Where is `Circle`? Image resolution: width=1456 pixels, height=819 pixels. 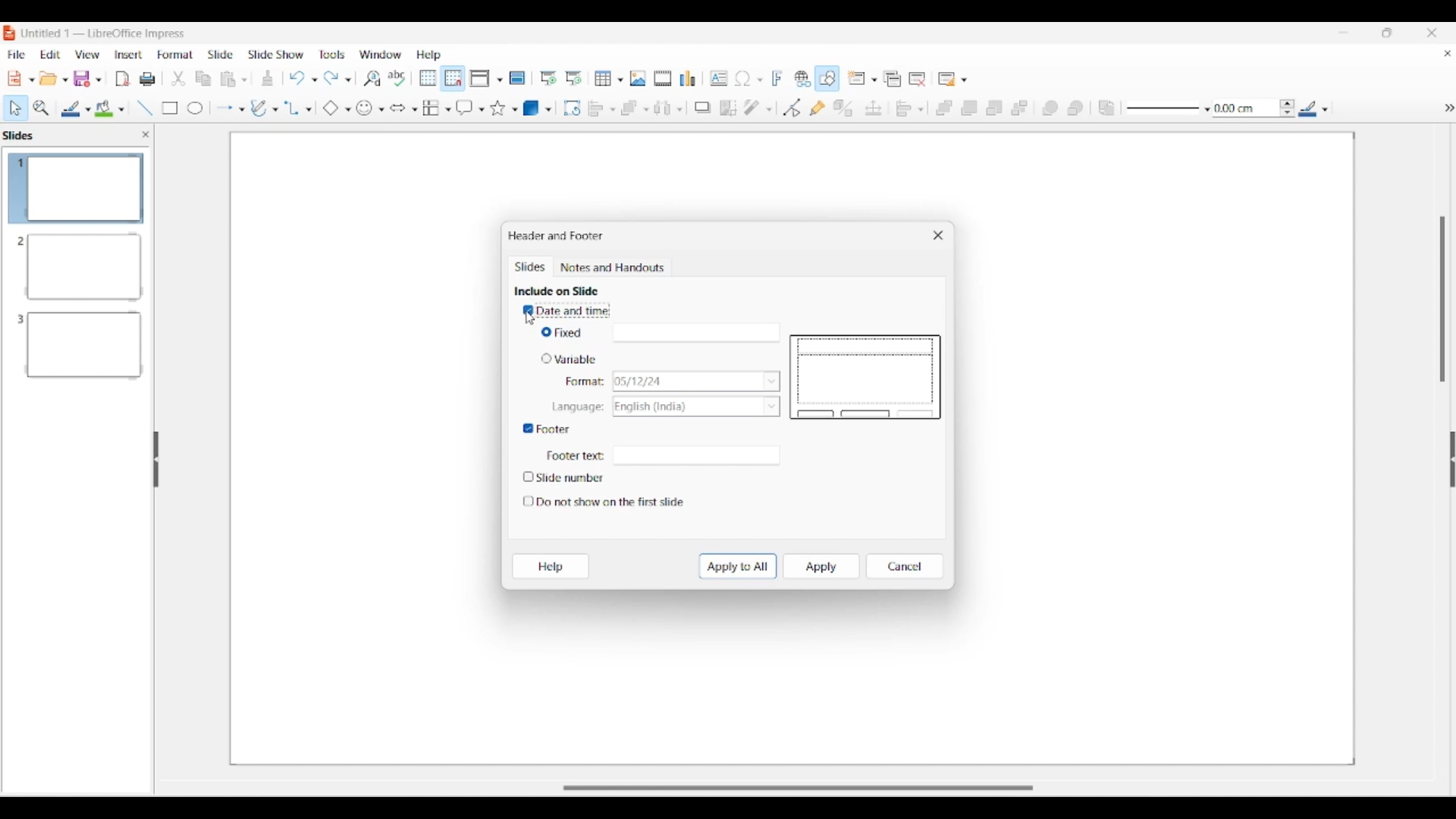
Circle is located at coordinates (194, 108).